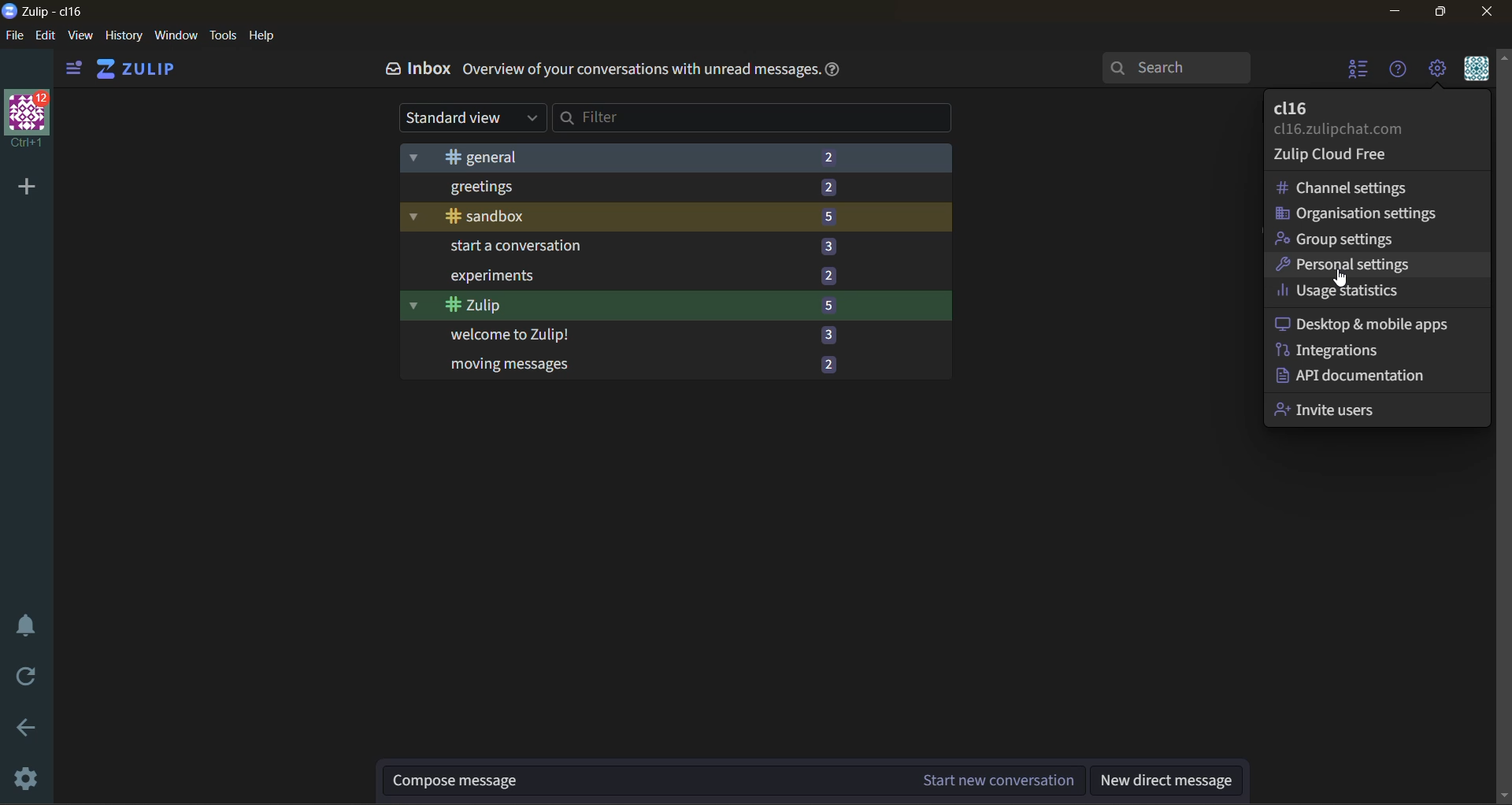 This screenshot has height=805, width=1512. What do you see at coordinates (1362, 376) in the screenshot?
I see `api documentation` at bounding box center [1362, 376].